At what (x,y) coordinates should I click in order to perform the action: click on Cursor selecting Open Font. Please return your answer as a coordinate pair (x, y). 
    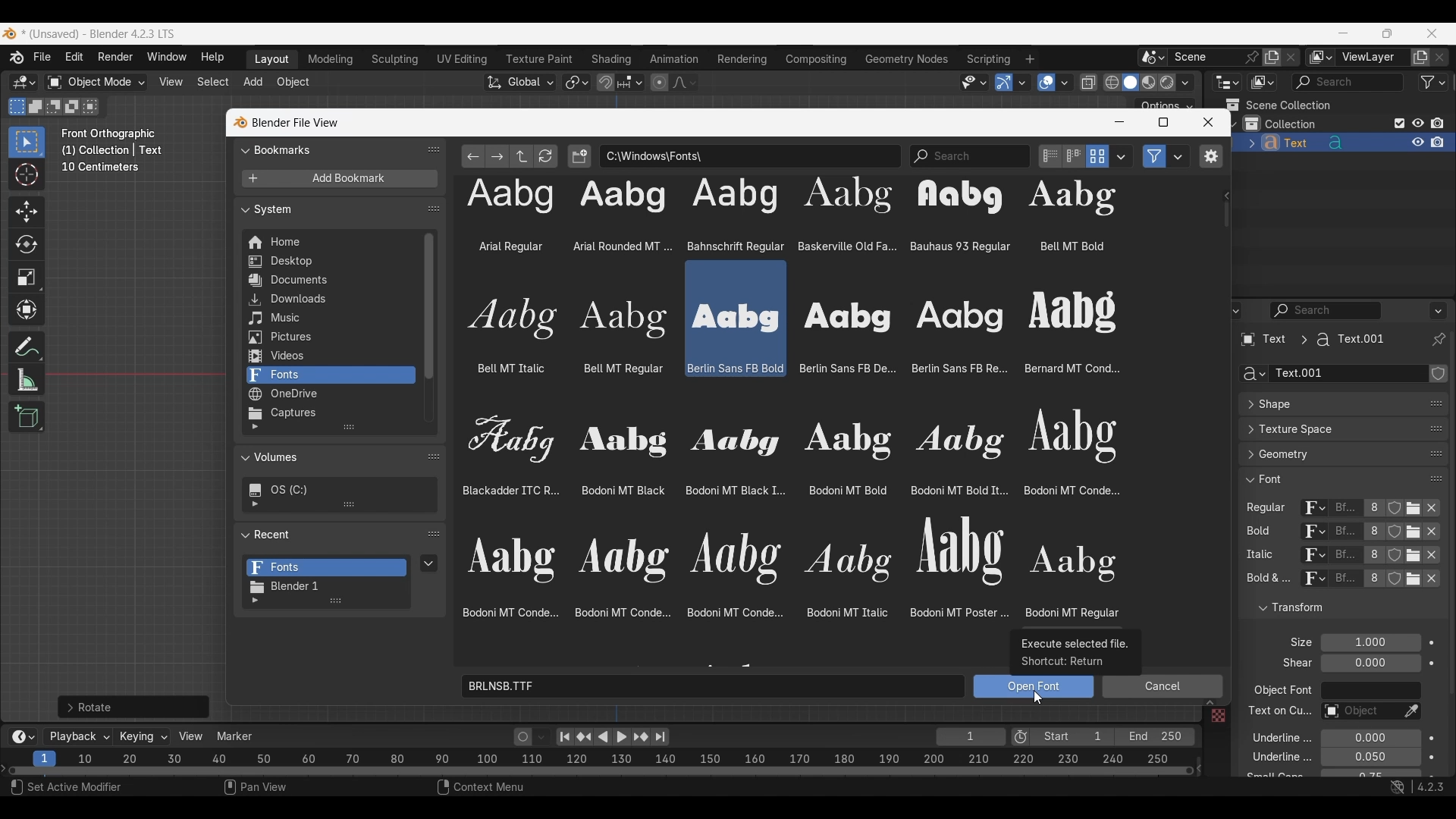
    Looking at the image, I should click on (1038, 698).